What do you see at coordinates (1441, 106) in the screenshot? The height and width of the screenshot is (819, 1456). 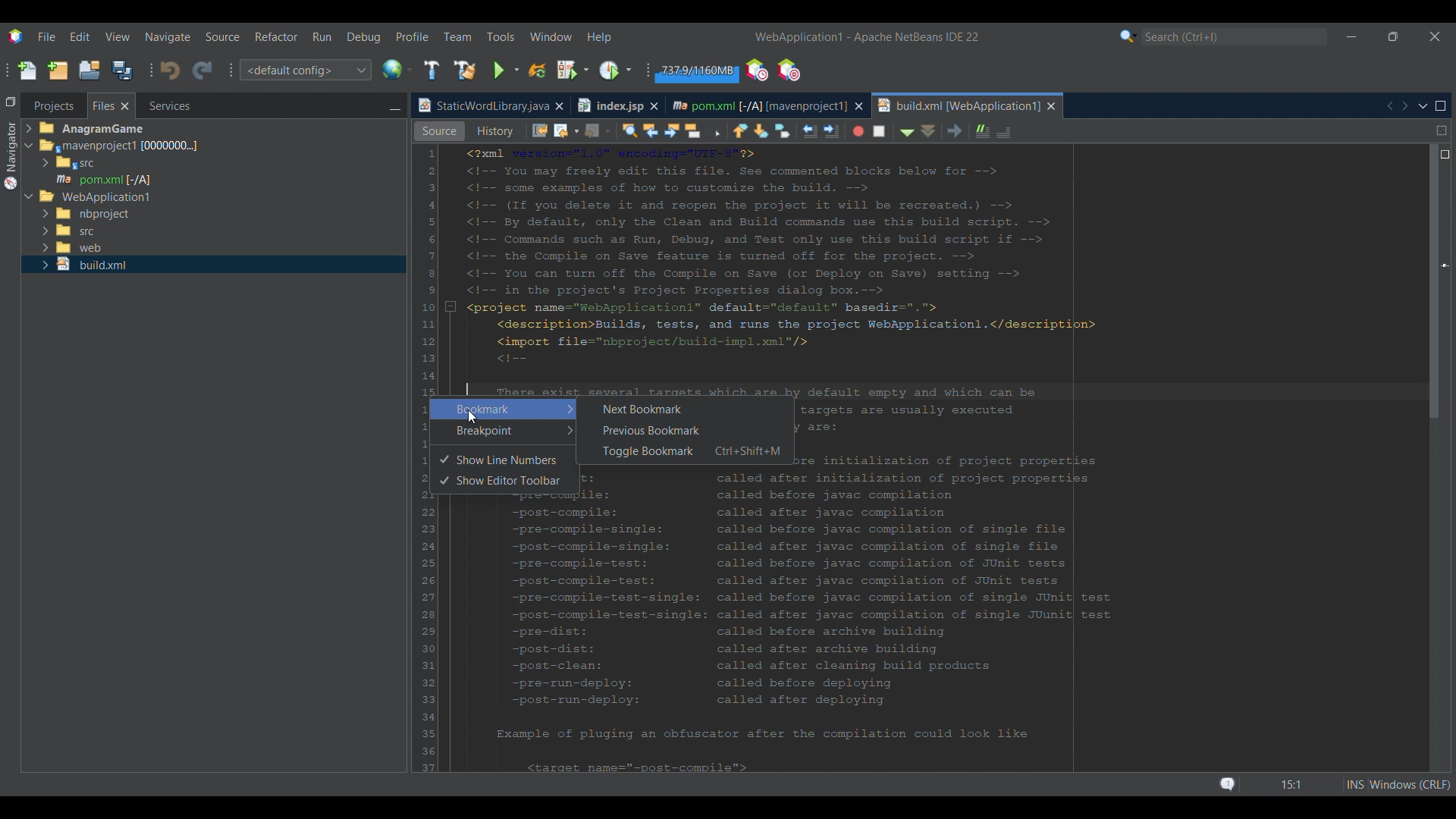 I see `Maximize` at bounding box center [1441, 106].